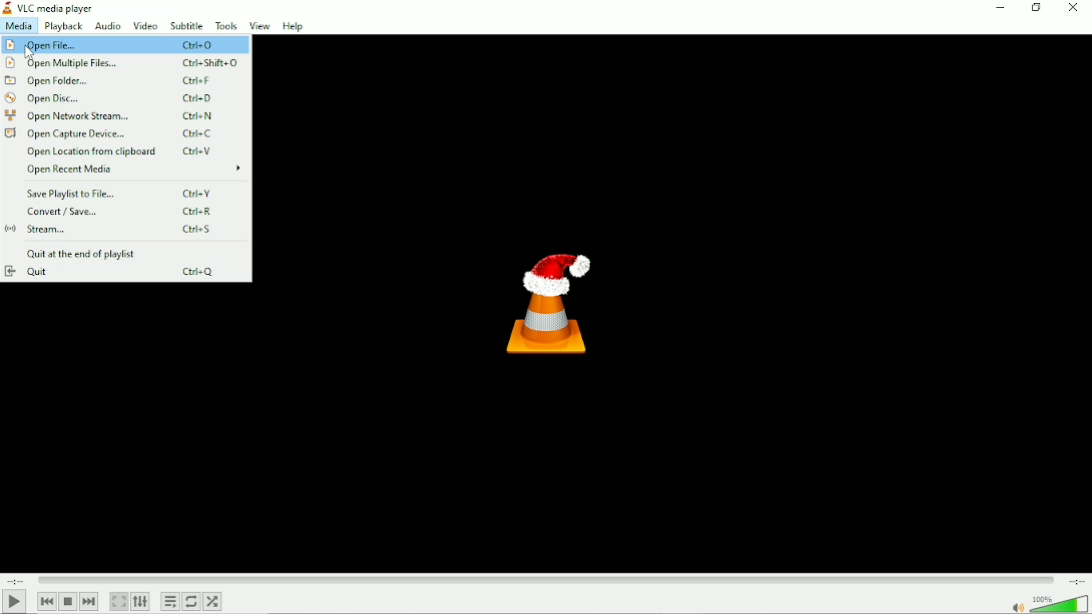  What do you see at coordinates (294, 26) in the screenshot?
I see `Help` at bounding box center [294, 26].